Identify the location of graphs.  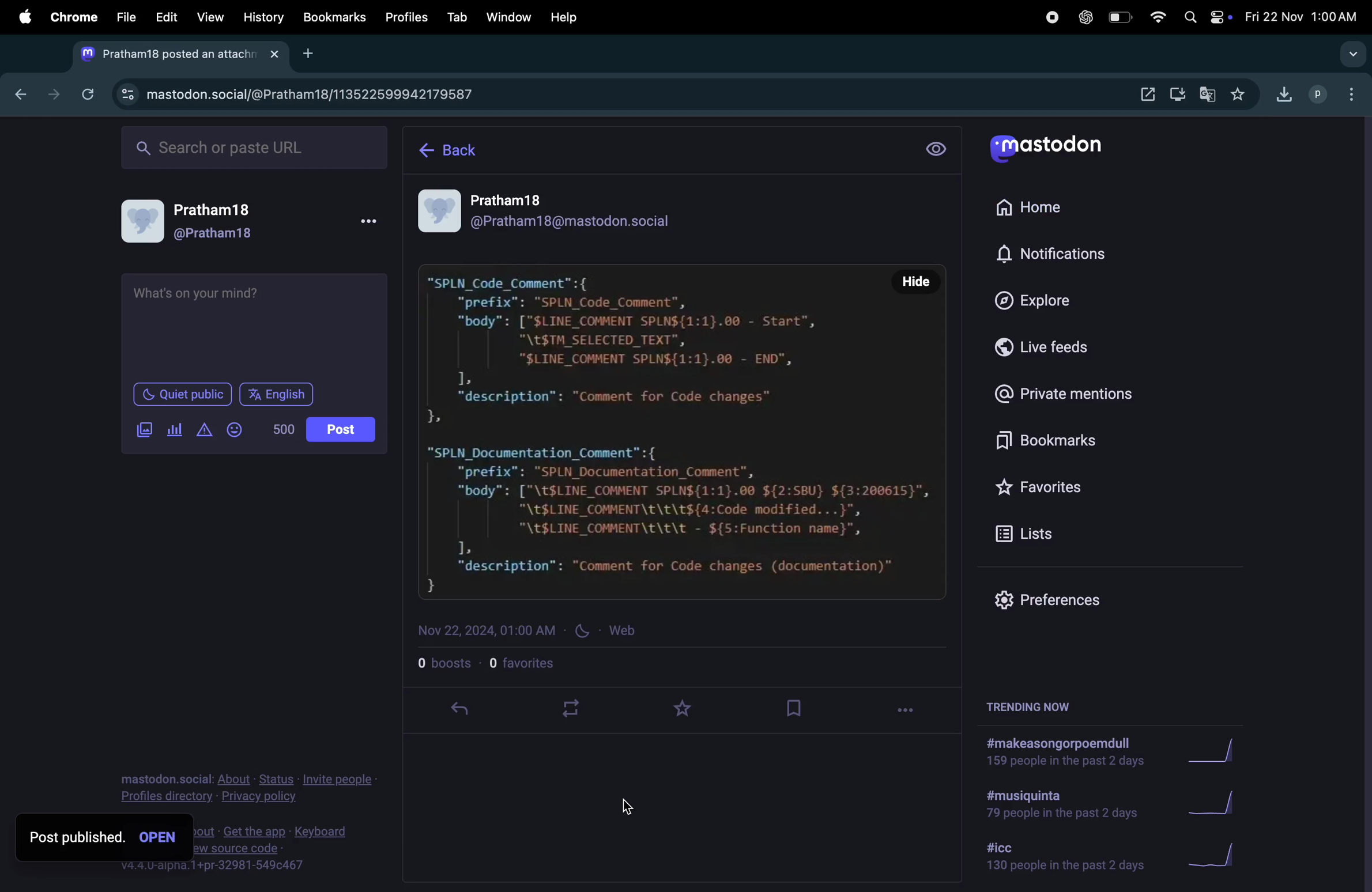
(1223, 803).